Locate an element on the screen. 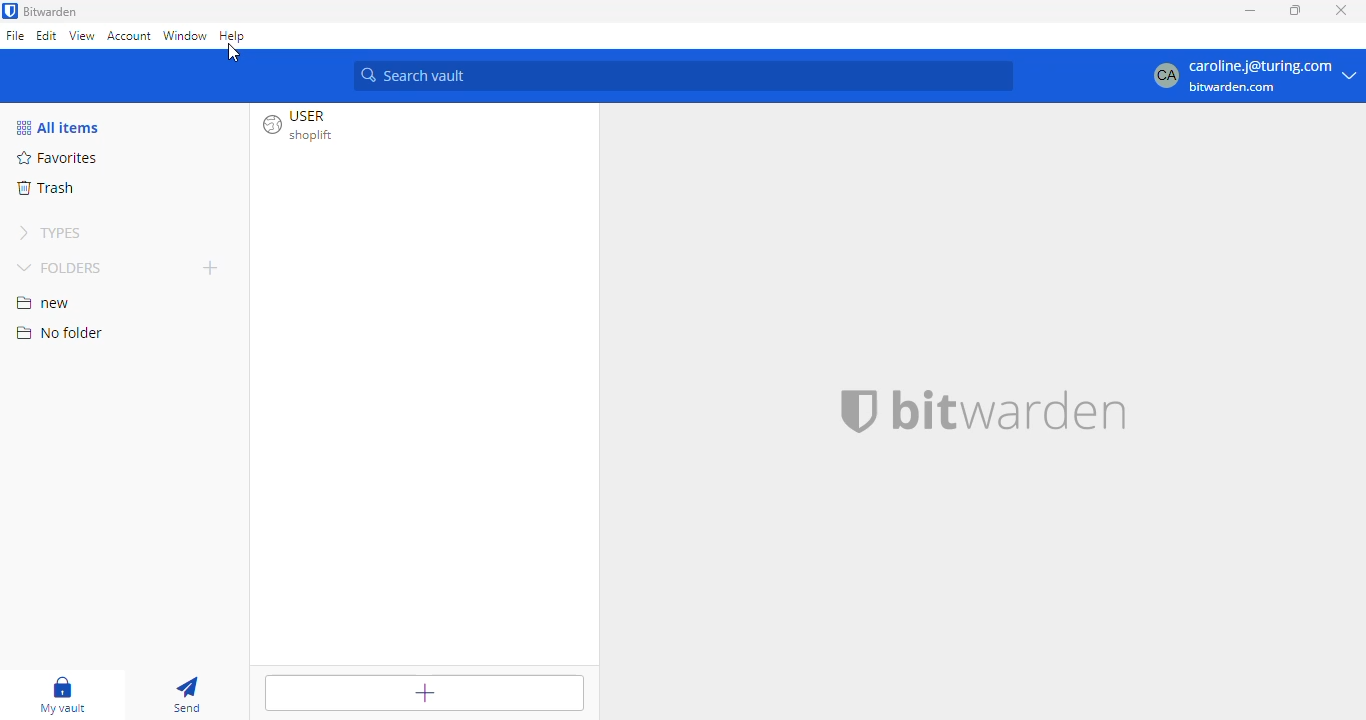 Image resolution: width=1366 pixels, height=720 pixels. account is located at coordinates (129, 37).